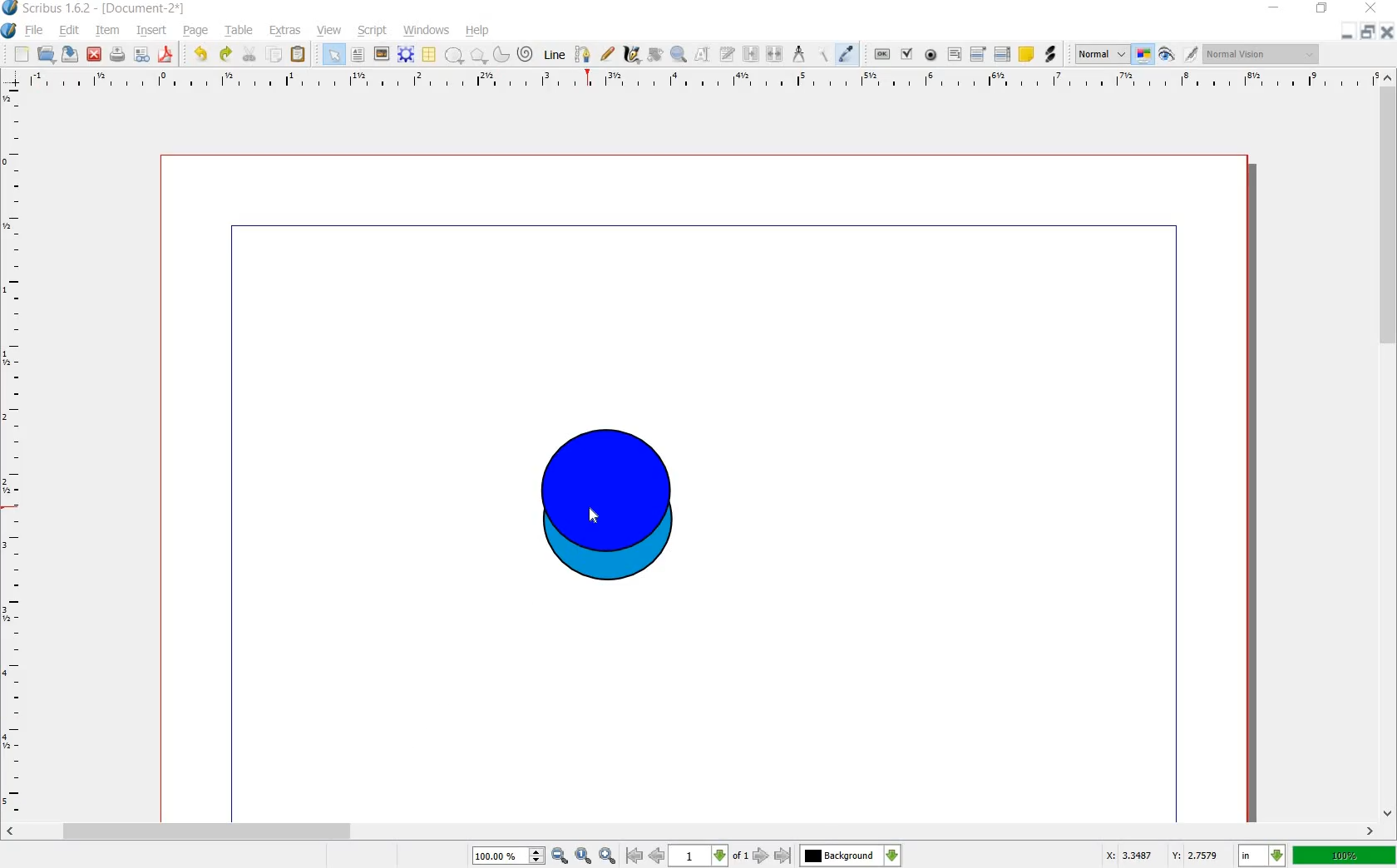 The width and height of the screenshot is (1397, 868). What do you see at coordinates (13, 451) in the screenshot?
I see `ruler` at bounding box center [13, 451].